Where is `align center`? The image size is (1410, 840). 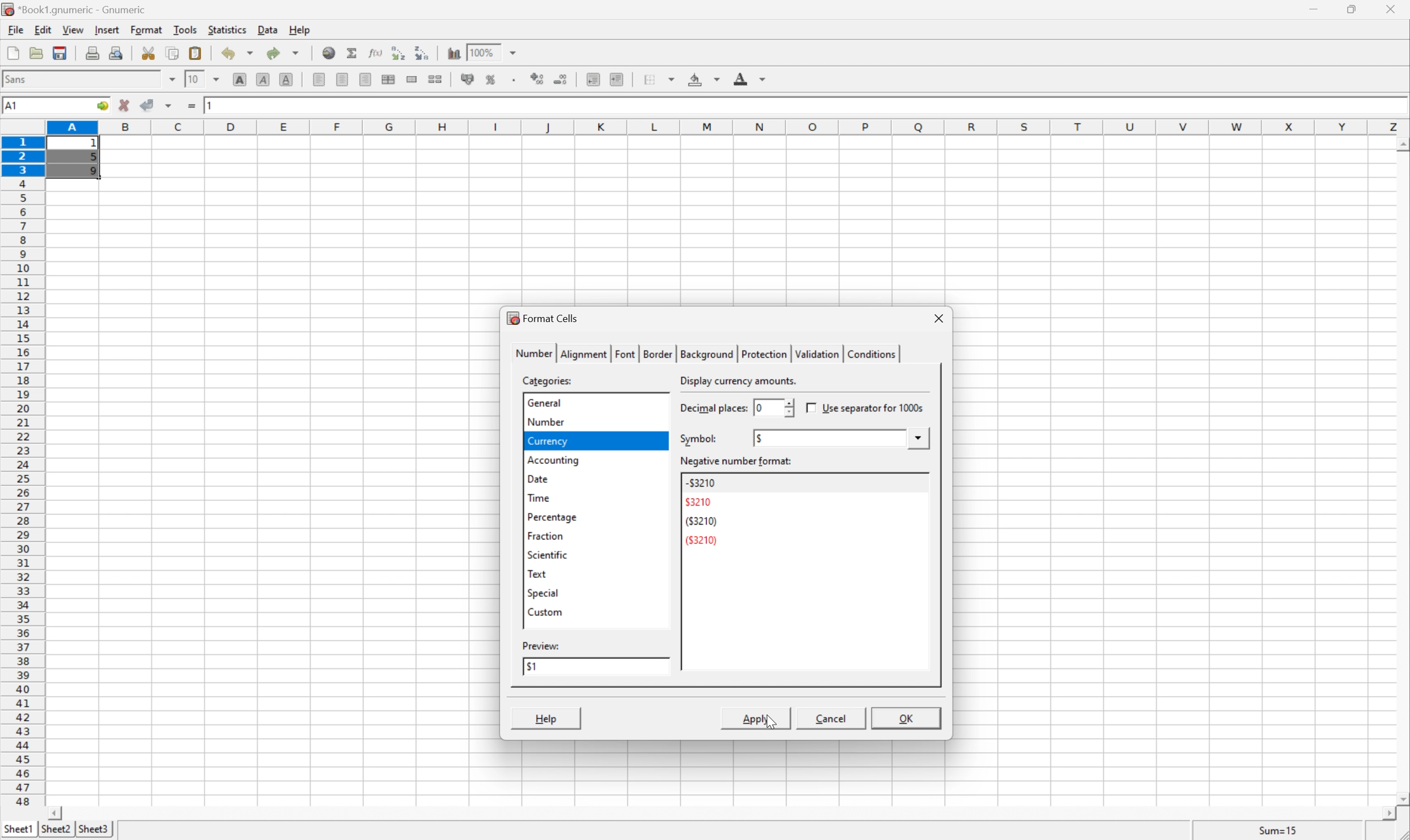
align center is located at coordinates (343, 79).